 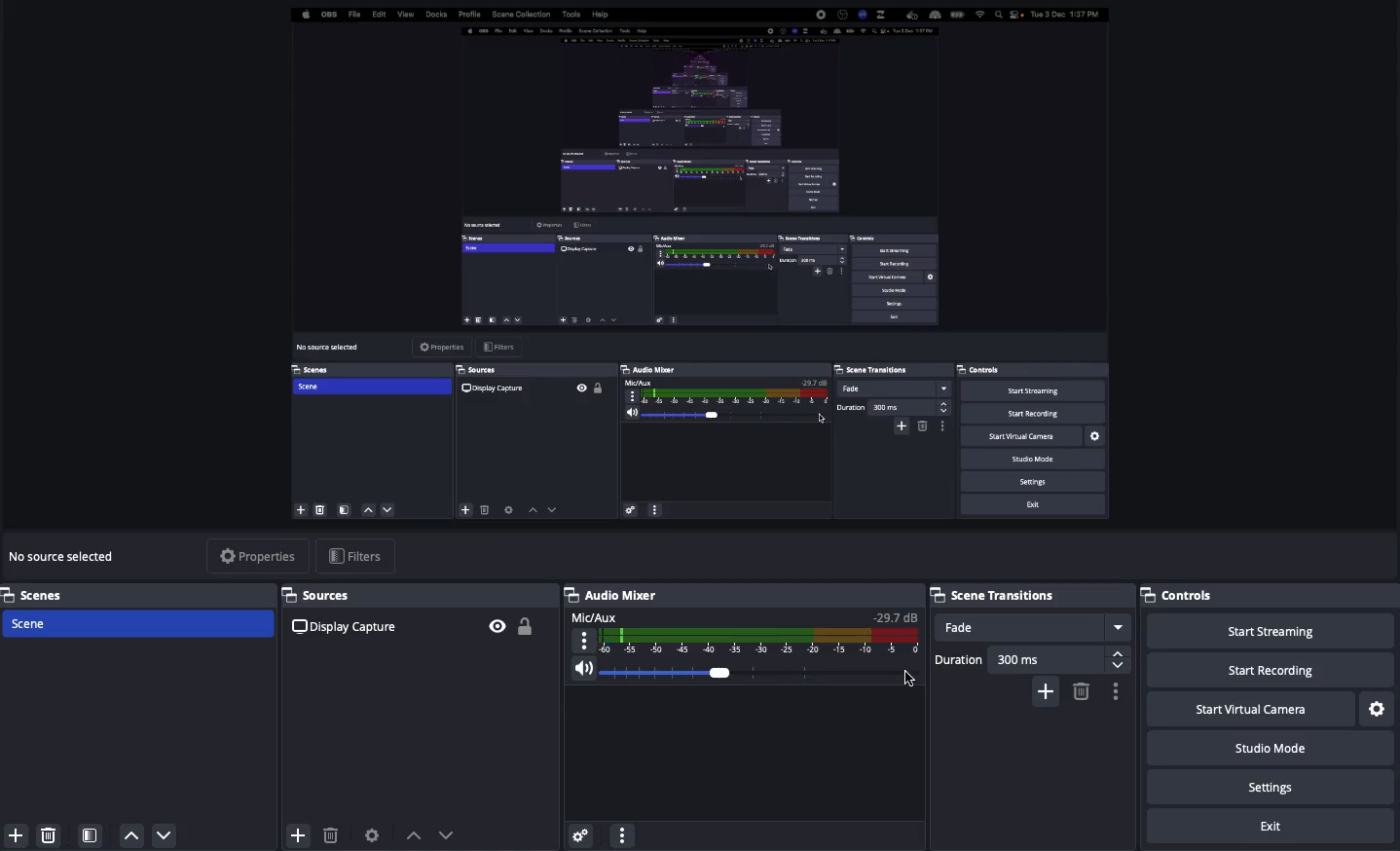 What do you see at coordinates (330, 835) in the screenshot?
I see `Delete` at bounding box center [330, 835].